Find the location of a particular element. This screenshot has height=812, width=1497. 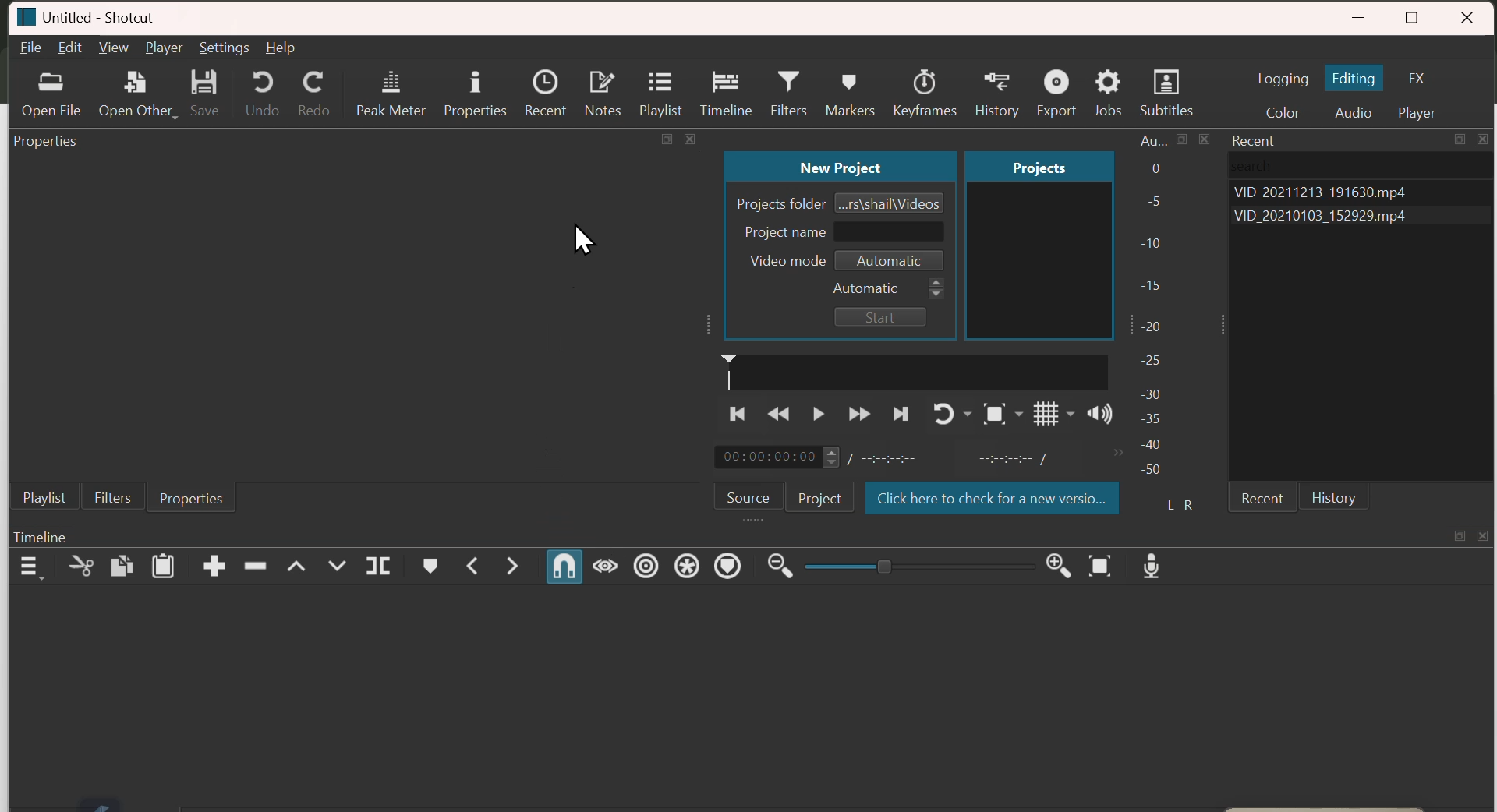

Backward is located at coordinates (777, 413).